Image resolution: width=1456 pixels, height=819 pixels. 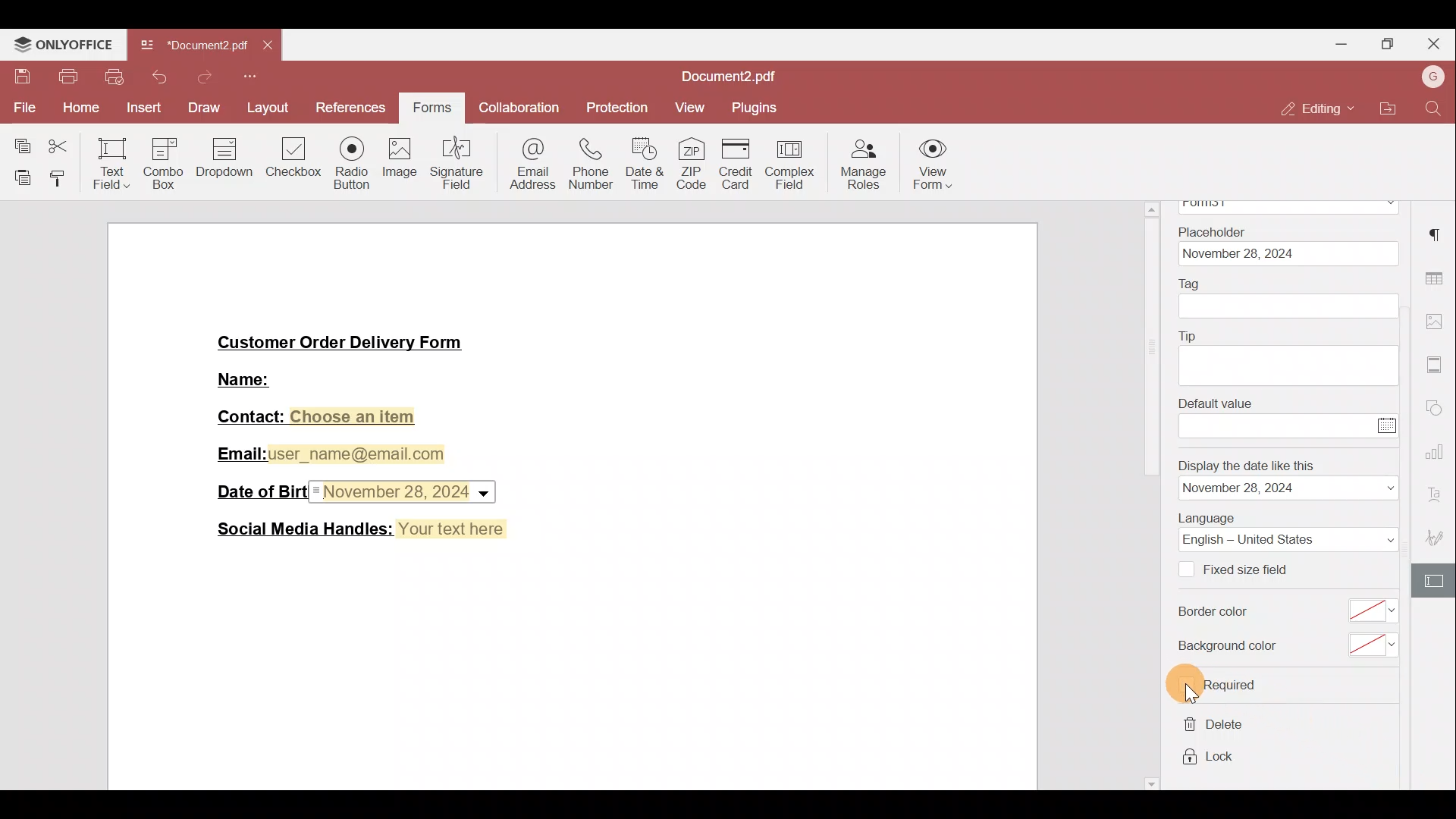 I want to click on Open file location, so click(x=1389, y=109).